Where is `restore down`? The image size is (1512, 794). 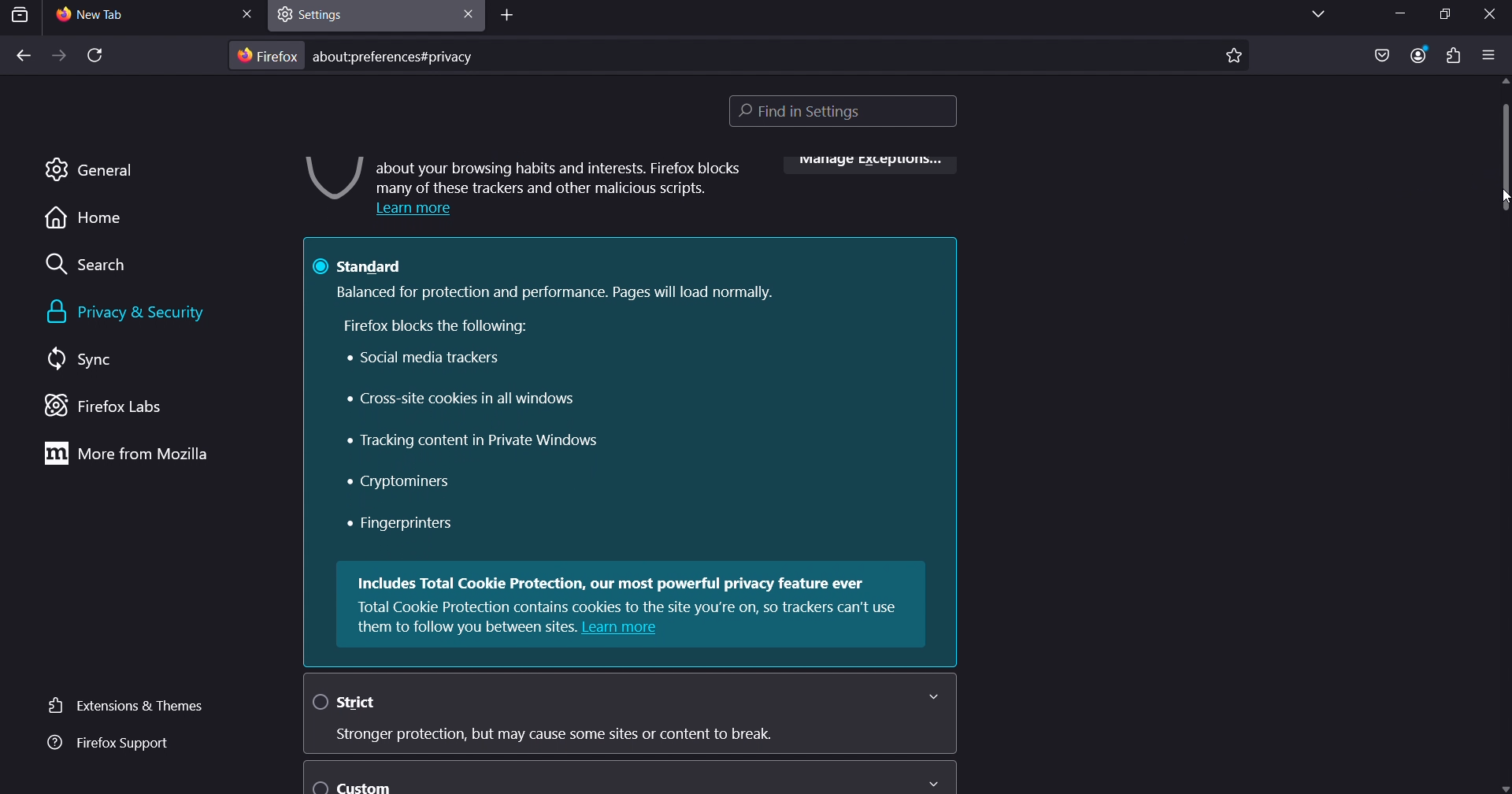 restore down is located at coordinates (1438, 14).